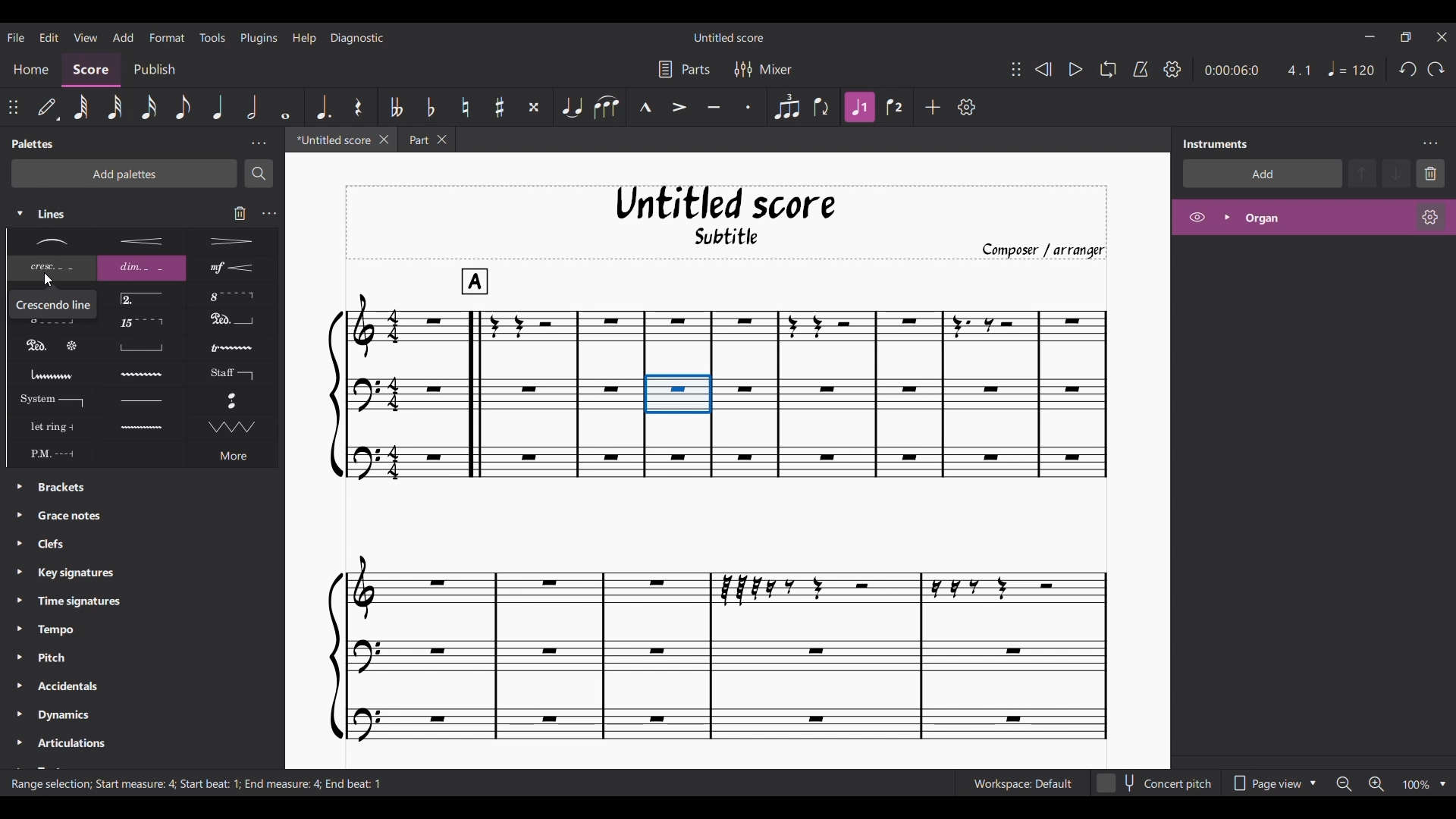 The width and height of the screenshot is (1456, 819). I want to click on Tools menu, so click(212, 36).